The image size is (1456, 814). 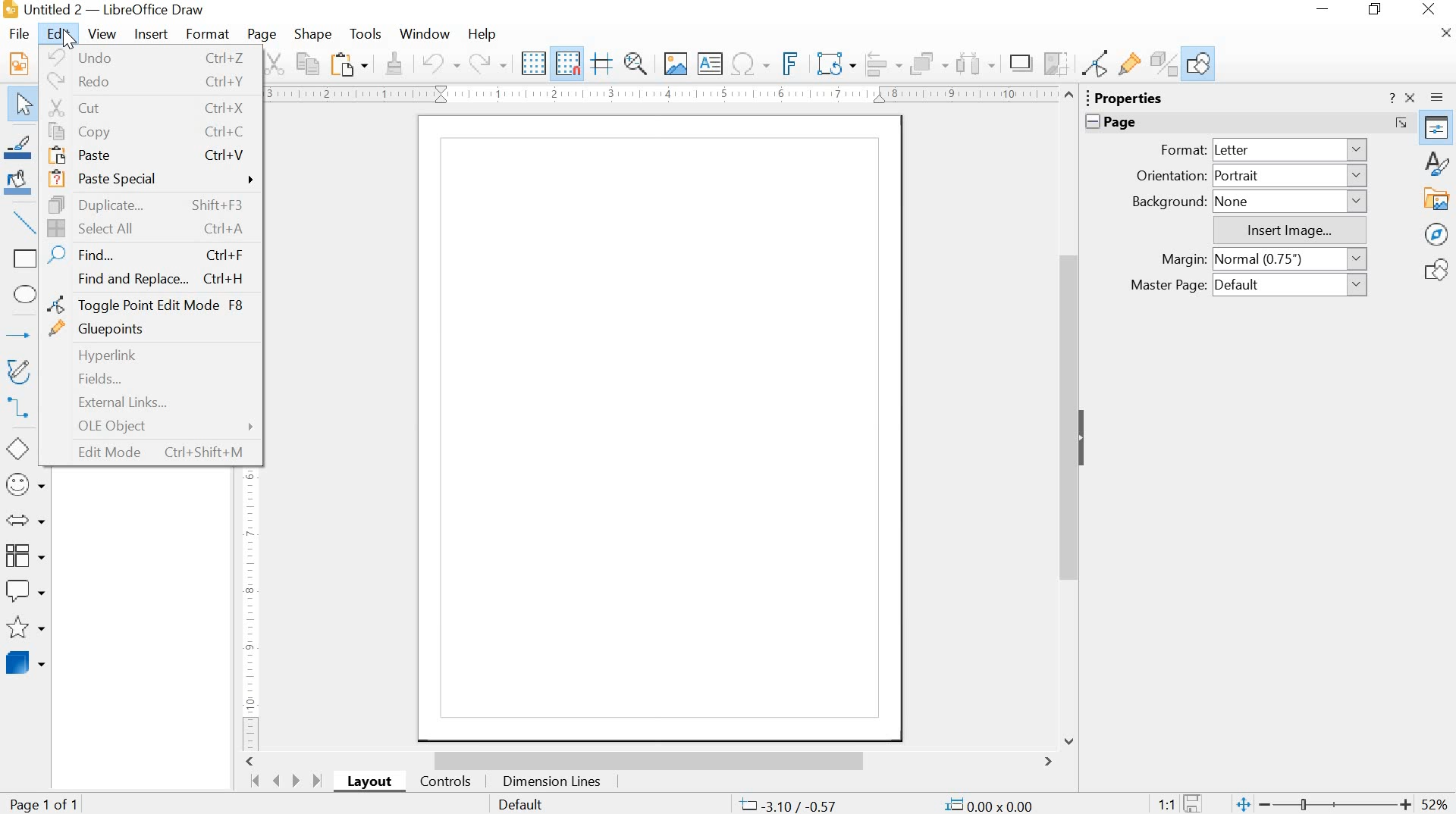 I want to click on Default, so click(x=1291, y=284).